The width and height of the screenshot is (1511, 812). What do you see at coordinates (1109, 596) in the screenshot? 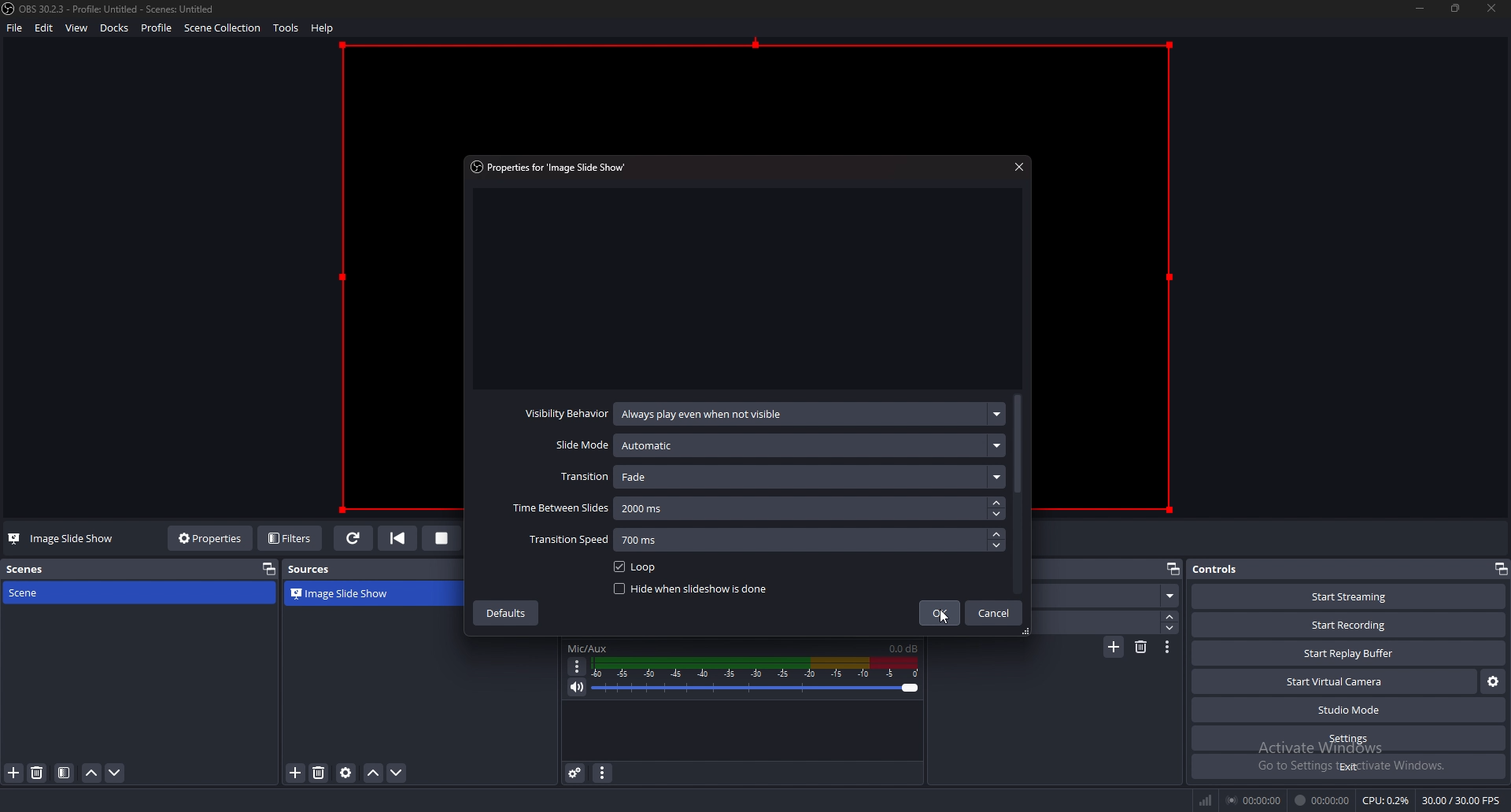
I see `fade` at bounding box center [1109, 596].